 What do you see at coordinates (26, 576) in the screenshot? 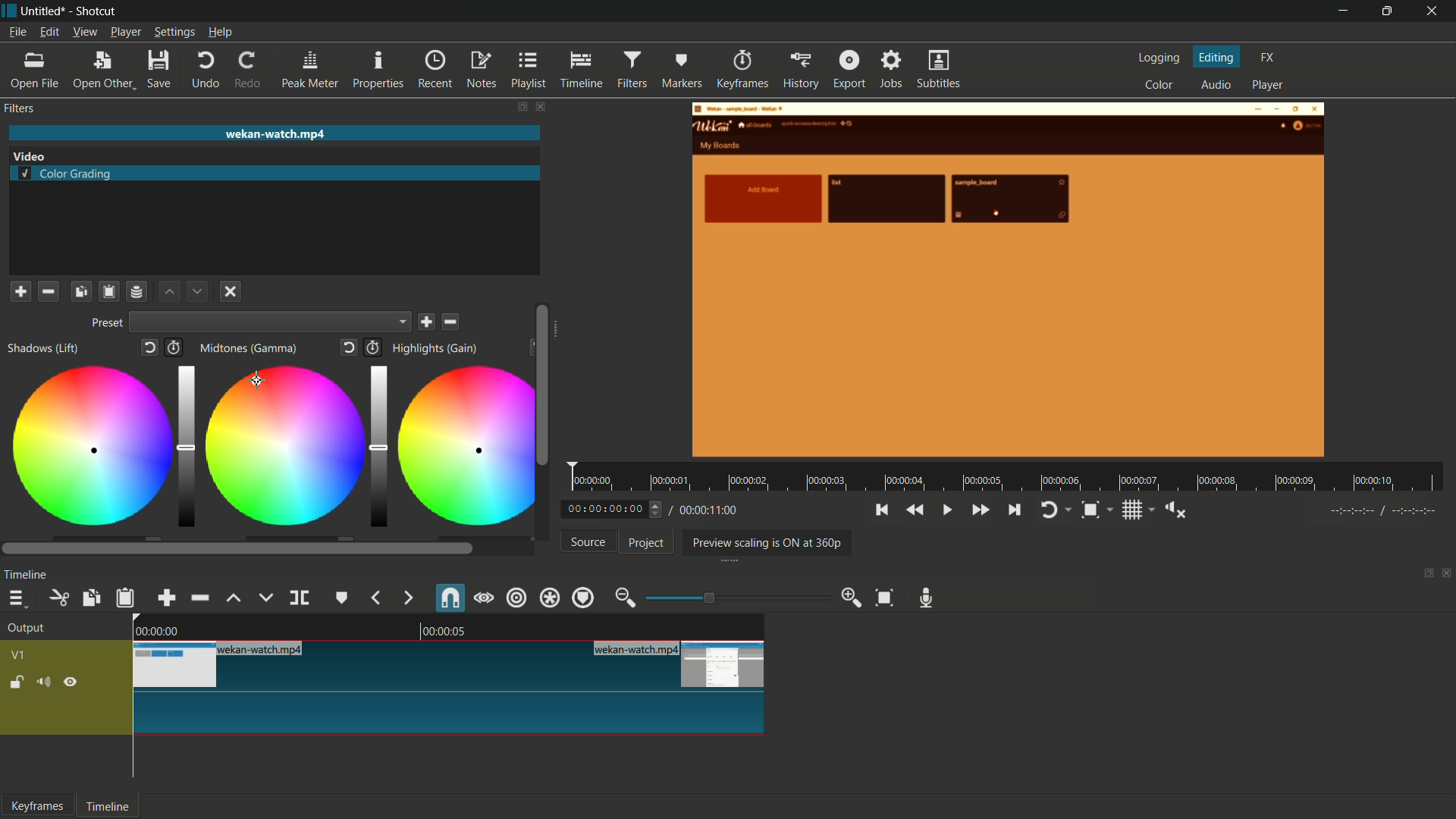
I see `timeline` at bounding box center [26, 576].